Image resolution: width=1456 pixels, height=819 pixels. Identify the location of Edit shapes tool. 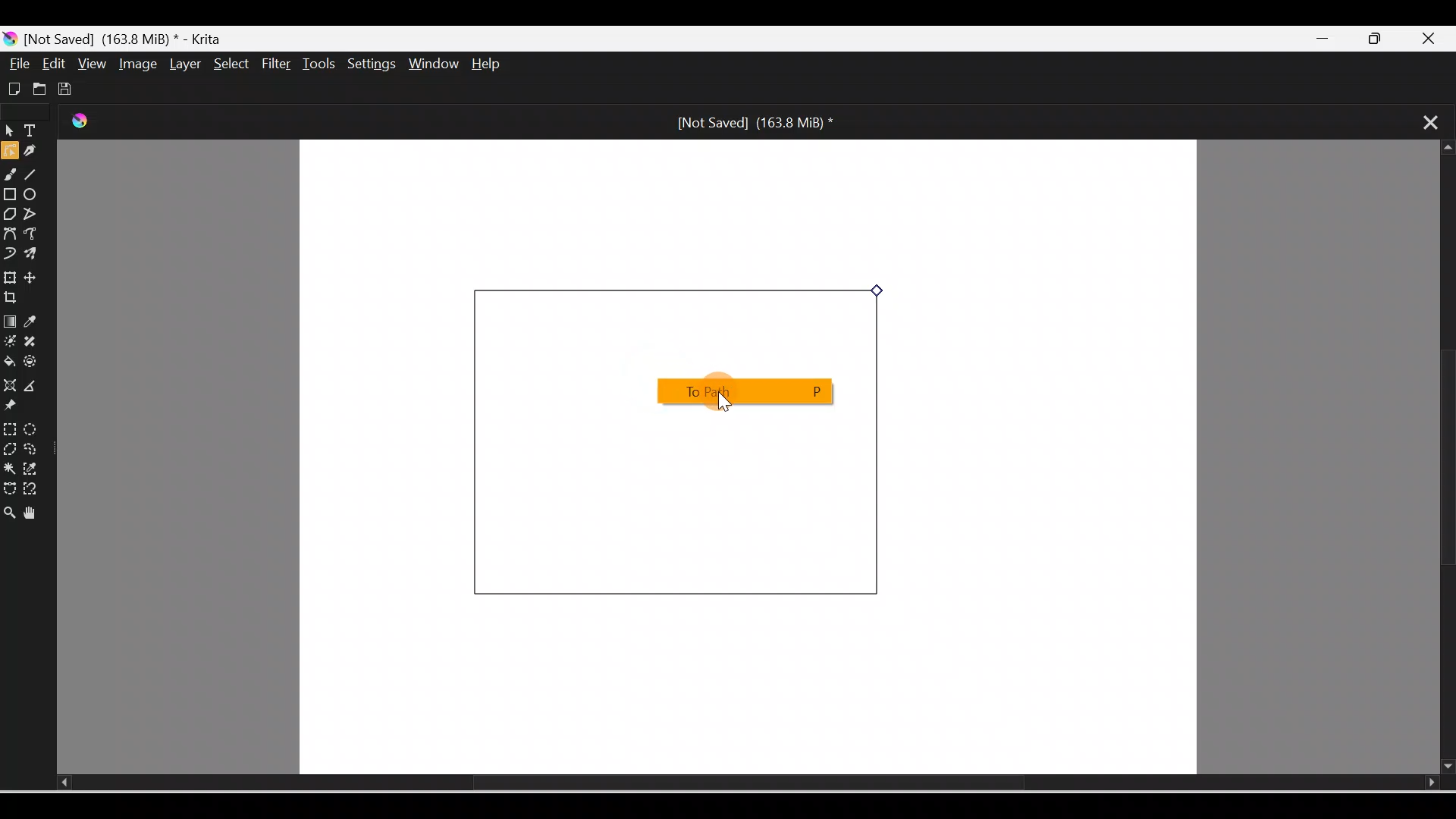
(9, 153).